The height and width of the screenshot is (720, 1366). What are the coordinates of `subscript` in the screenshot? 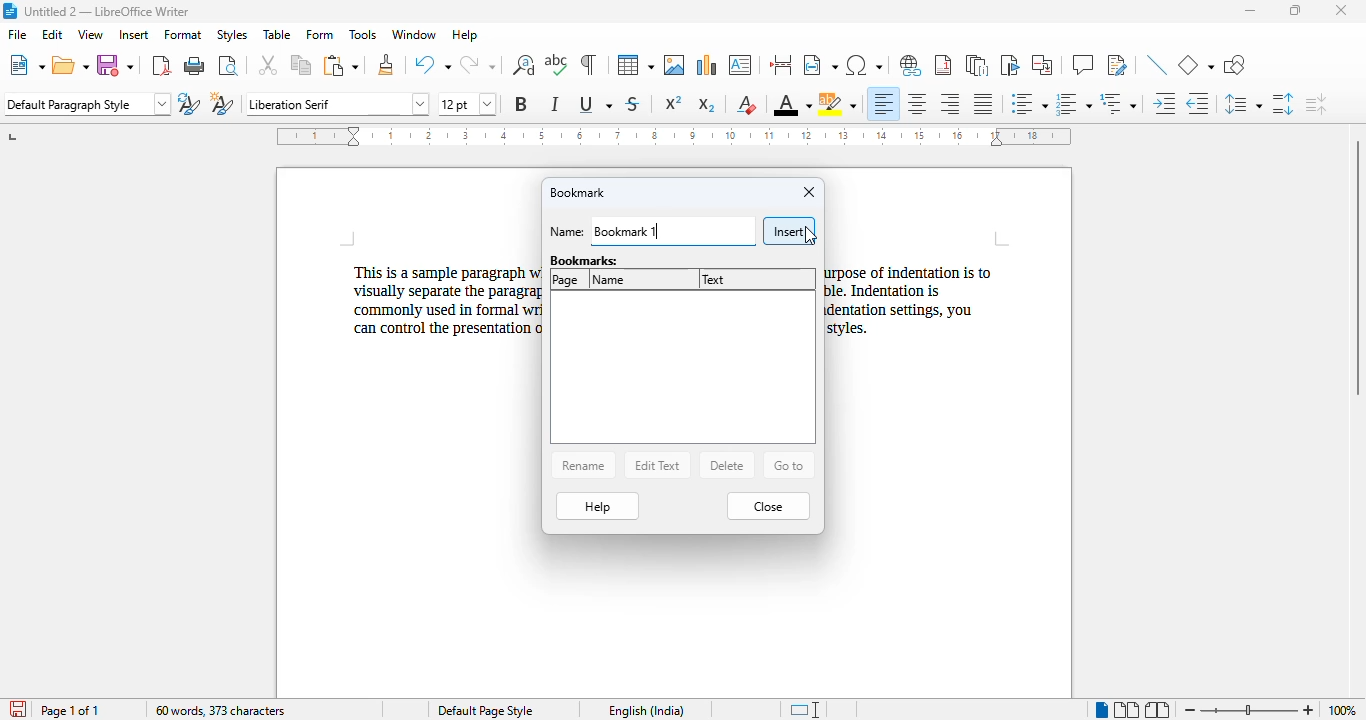 It's located at (707, 105).